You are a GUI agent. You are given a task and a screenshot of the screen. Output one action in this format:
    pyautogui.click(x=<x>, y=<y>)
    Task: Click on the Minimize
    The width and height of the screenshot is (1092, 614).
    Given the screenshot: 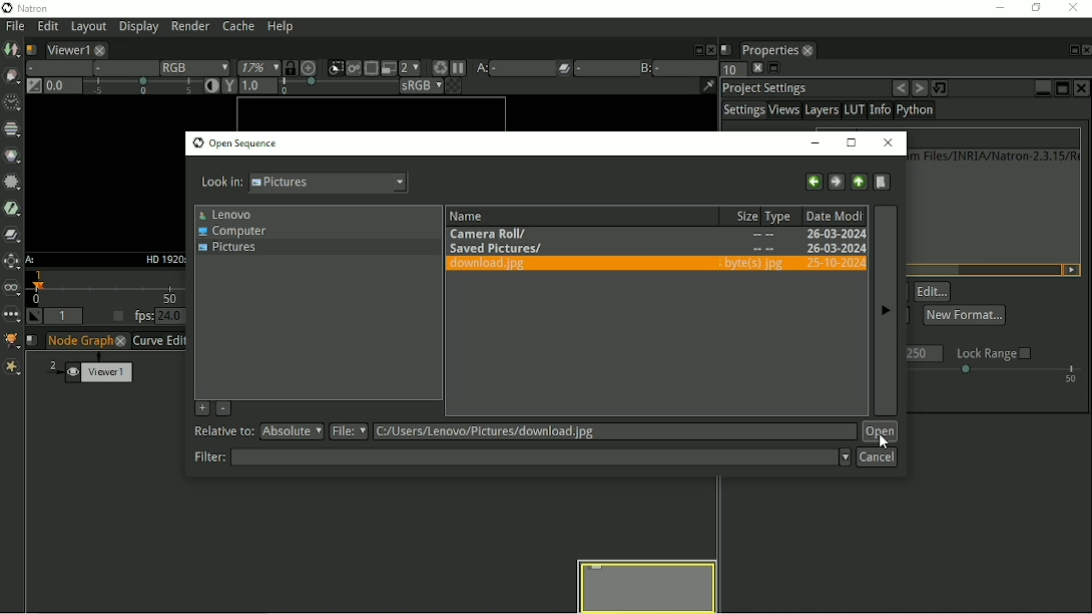 What is the action you would take?
    pyautogui.click(x=997, y=7)
    